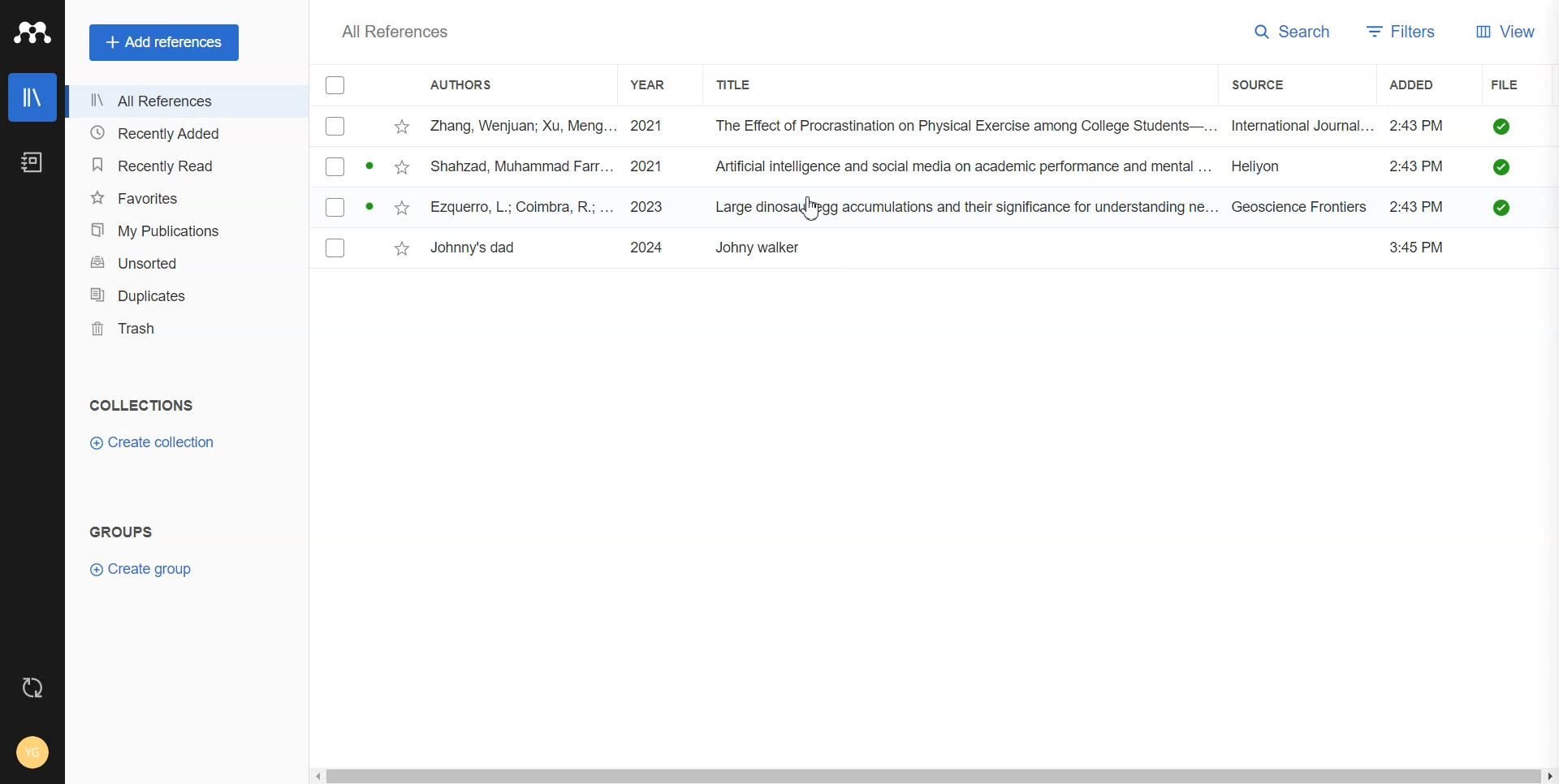  What do you see at coordinates (646, 127) in the screenshot?
I see `2021` at bounding box center [646, 127].